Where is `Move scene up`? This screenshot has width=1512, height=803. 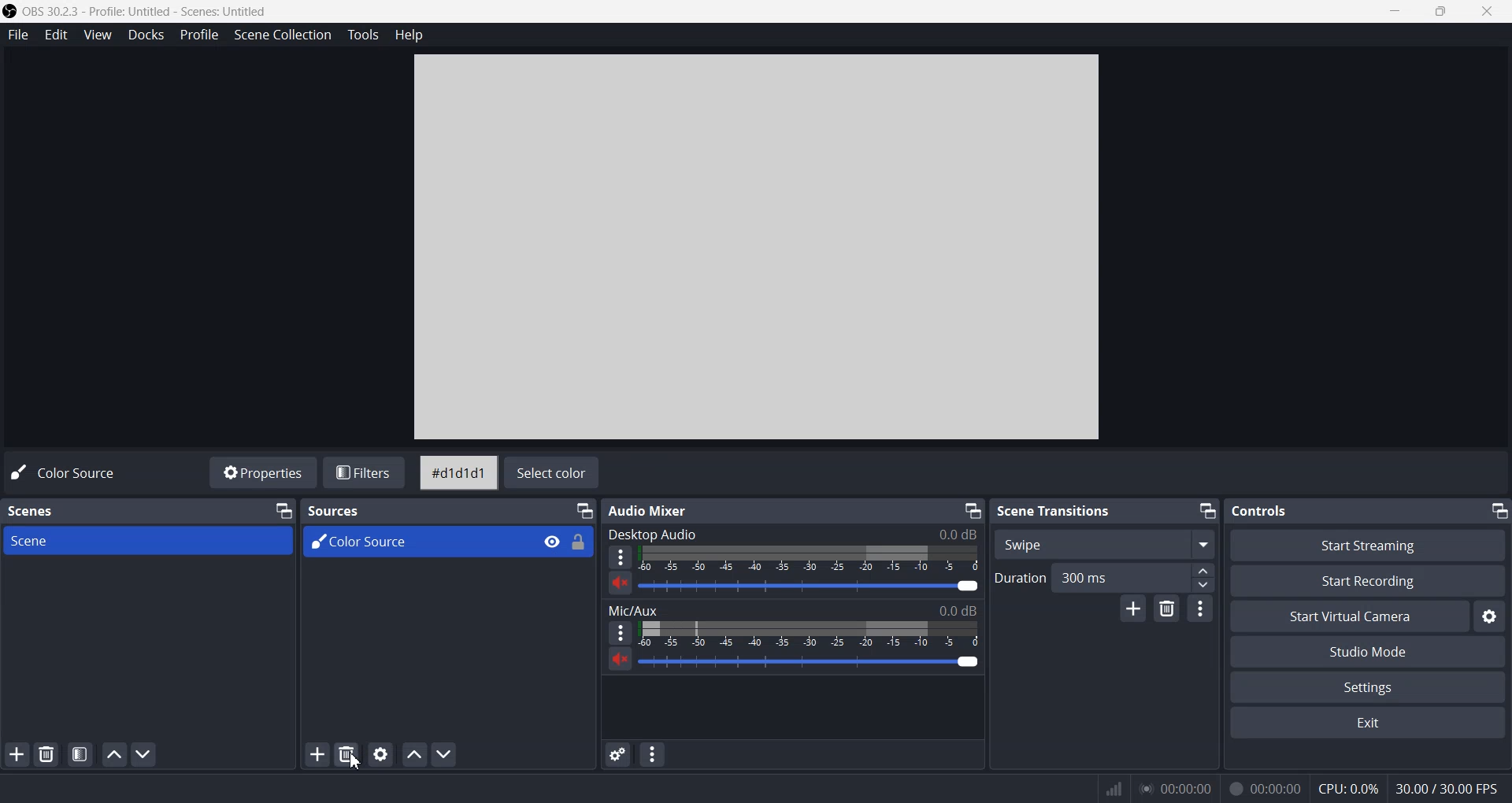
Move scene up is located at coordinates (113, 754).